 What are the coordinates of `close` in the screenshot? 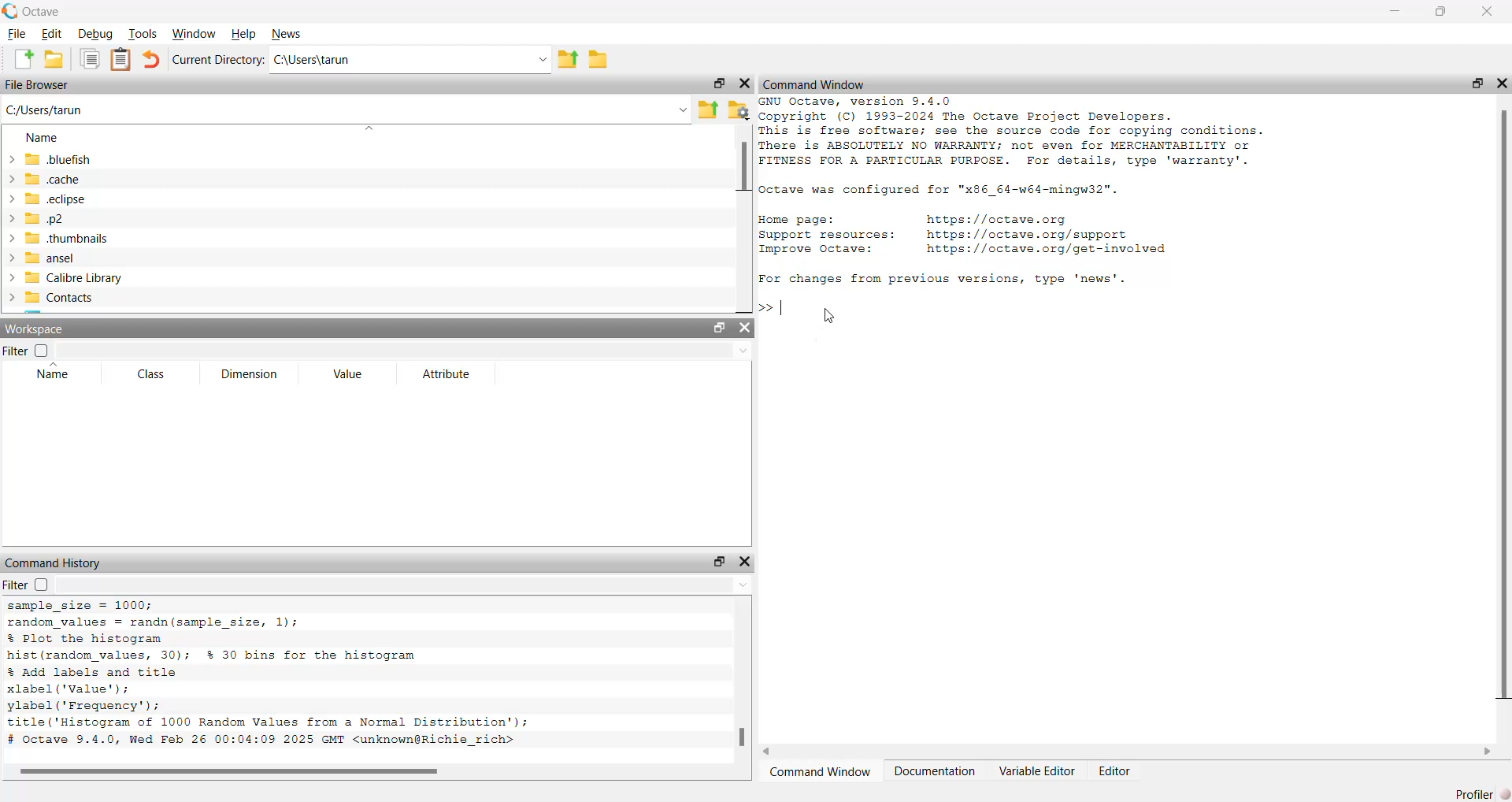 It's located at (1488, 12).